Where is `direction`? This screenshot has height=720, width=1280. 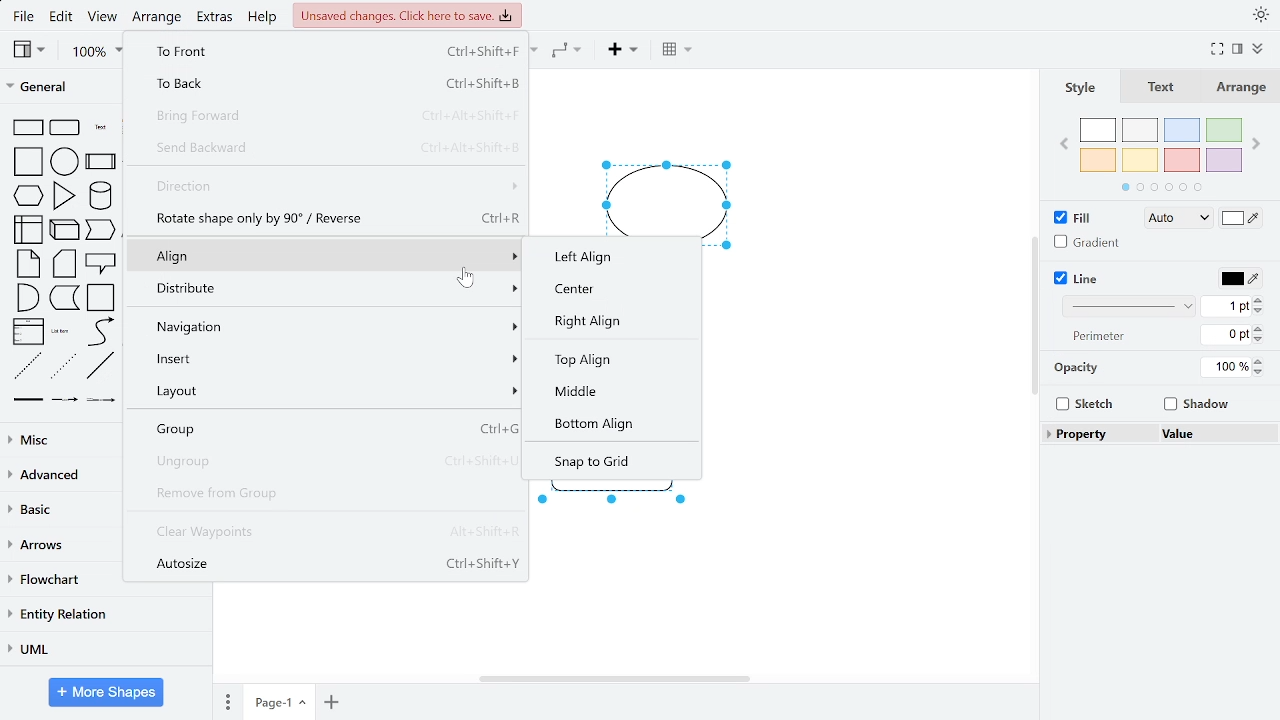 direction is located at coordinates (332, 187).